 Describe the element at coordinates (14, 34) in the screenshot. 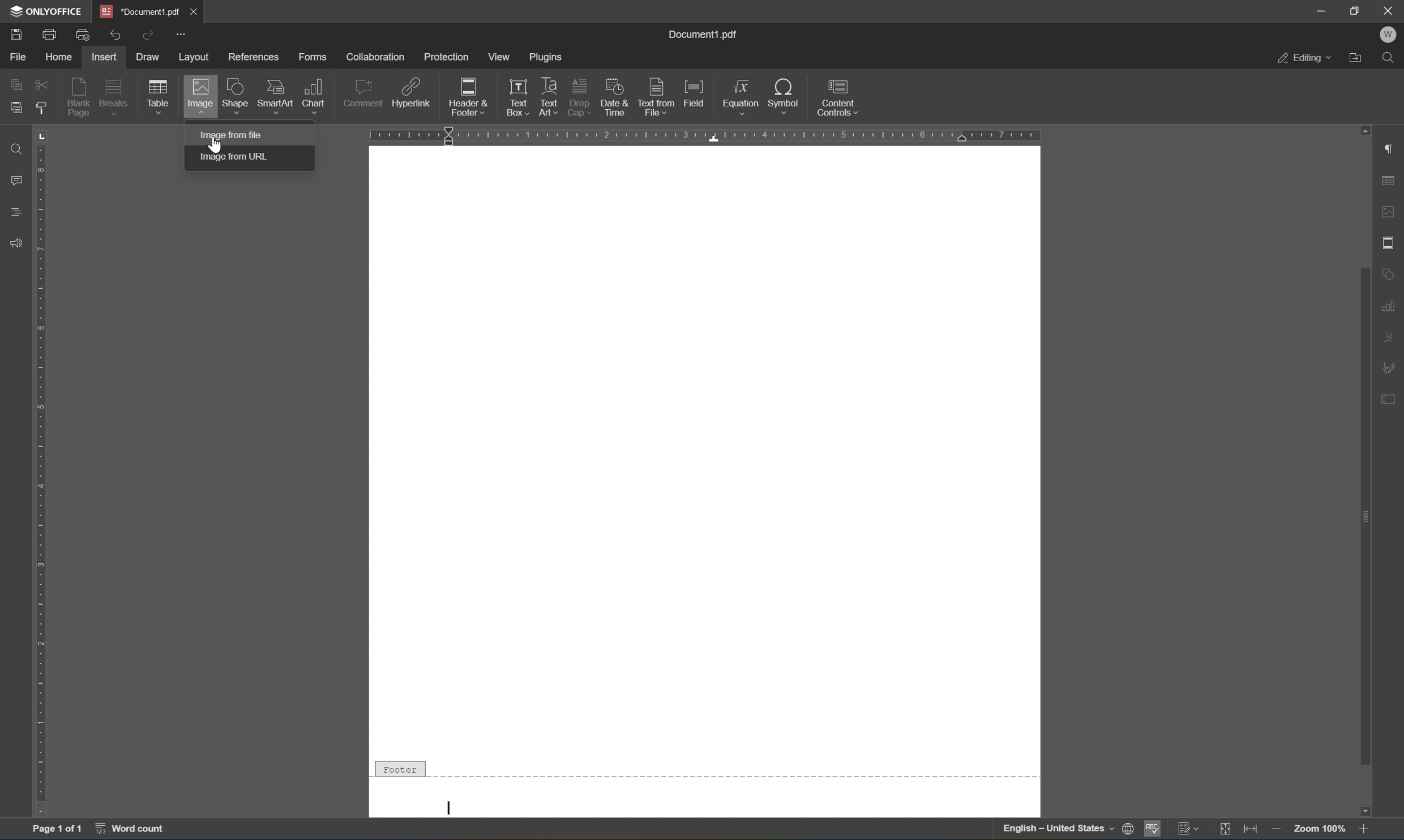

I see `save` at that location.